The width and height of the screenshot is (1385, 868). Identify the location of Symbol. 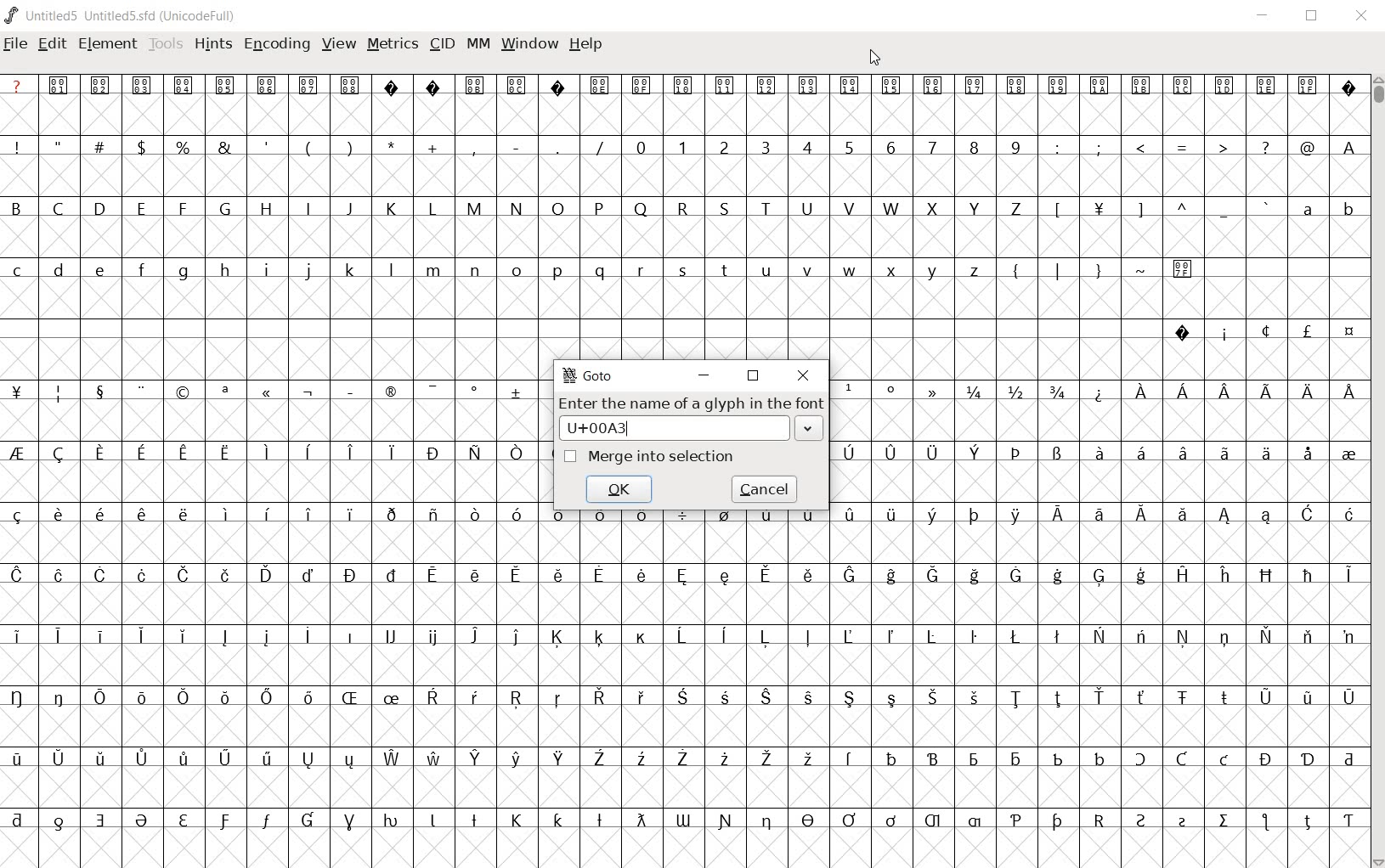
(810, 87).